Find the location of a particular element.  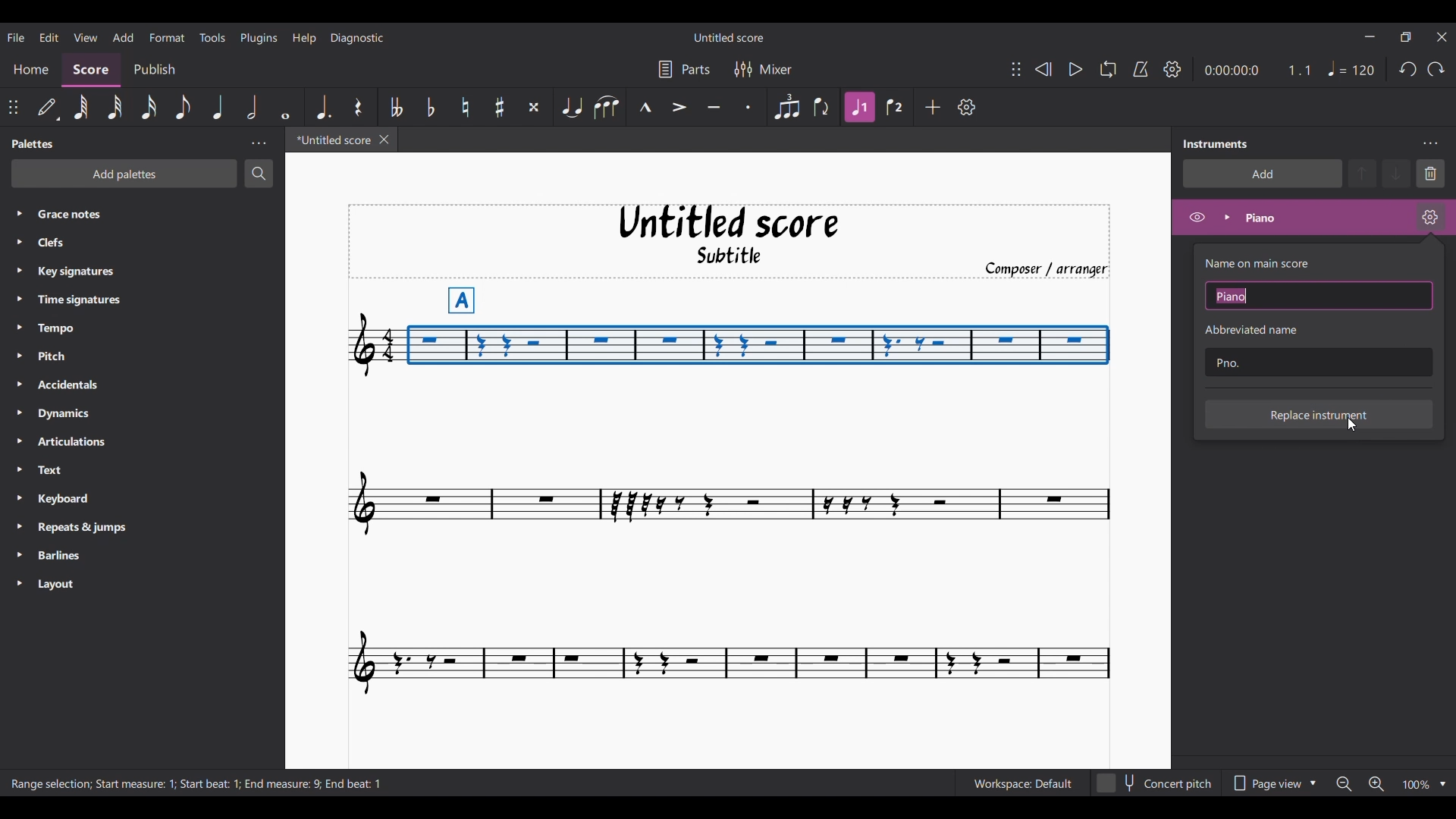

Publish section is located at coordinates (156, 67).